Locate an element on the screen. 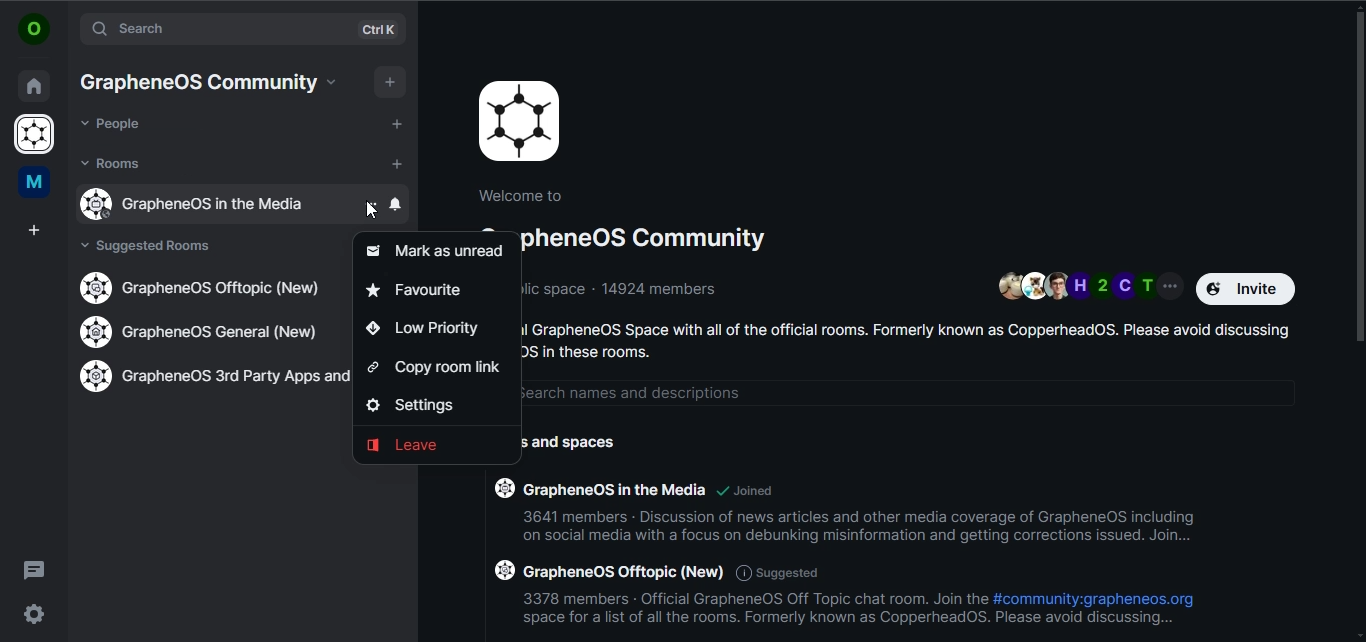  notifications is located at coordinates (397, 204).